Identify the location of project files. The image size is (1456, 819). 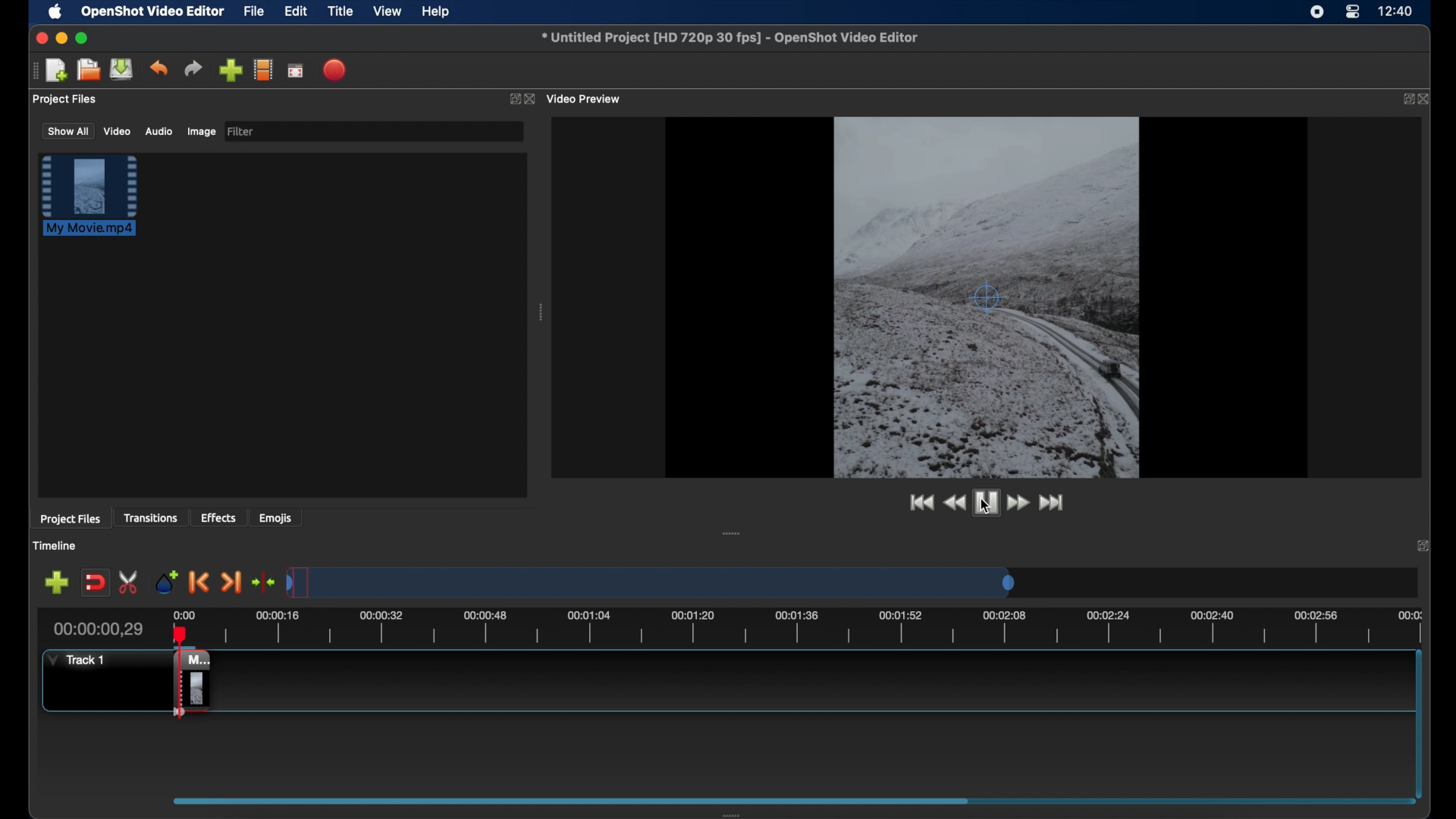
(65, 99).